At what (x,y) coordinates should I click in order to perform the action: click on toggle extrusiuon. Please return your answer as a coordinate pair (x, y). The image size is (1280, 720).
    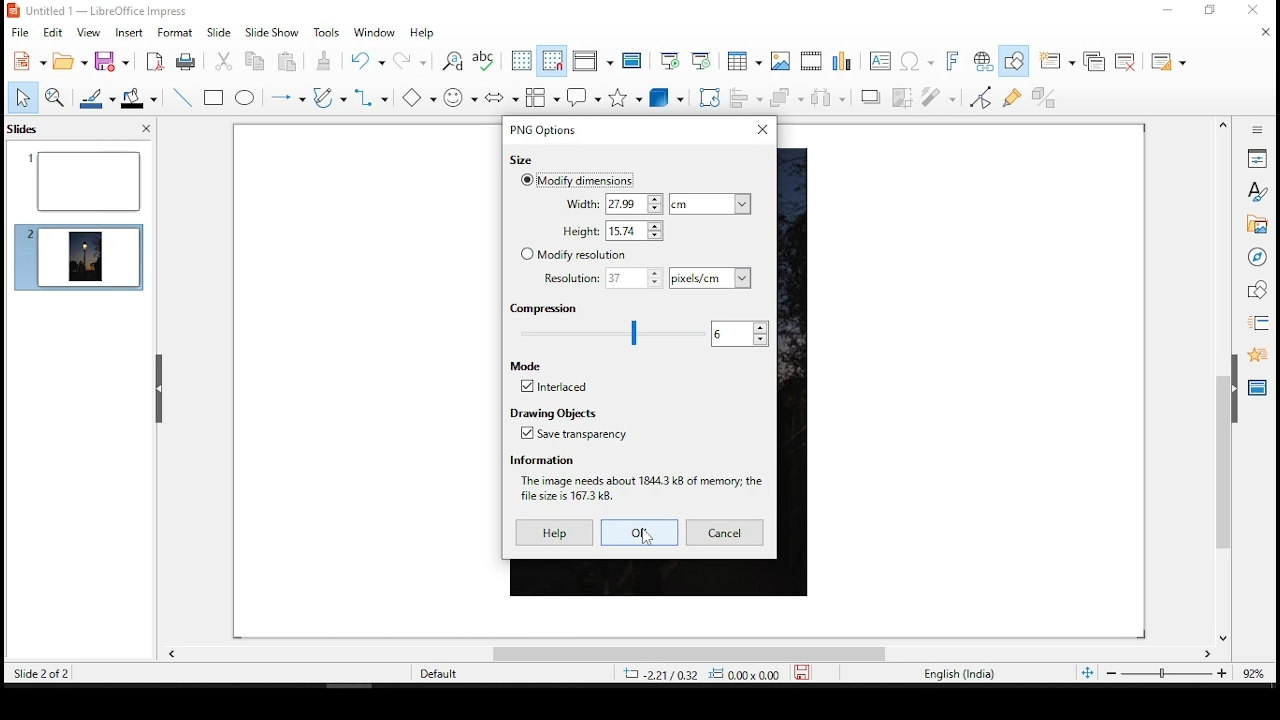
    Looking at the image, I should click on (1050, 96).